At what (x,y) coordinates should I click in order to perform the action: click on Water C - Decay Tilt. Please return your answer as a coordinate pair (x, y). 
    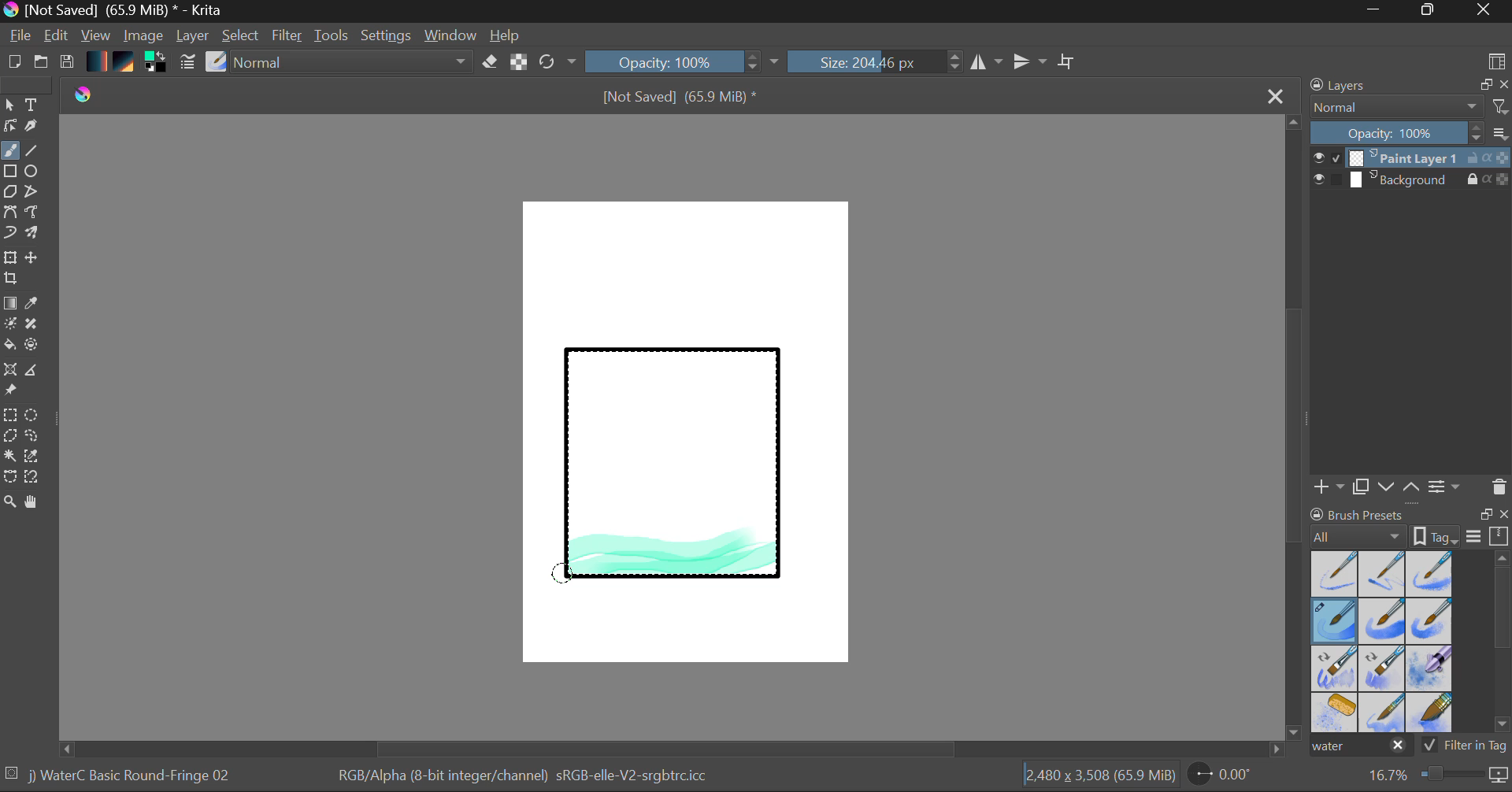
    Looking at the image, I should click on (1382, 667).